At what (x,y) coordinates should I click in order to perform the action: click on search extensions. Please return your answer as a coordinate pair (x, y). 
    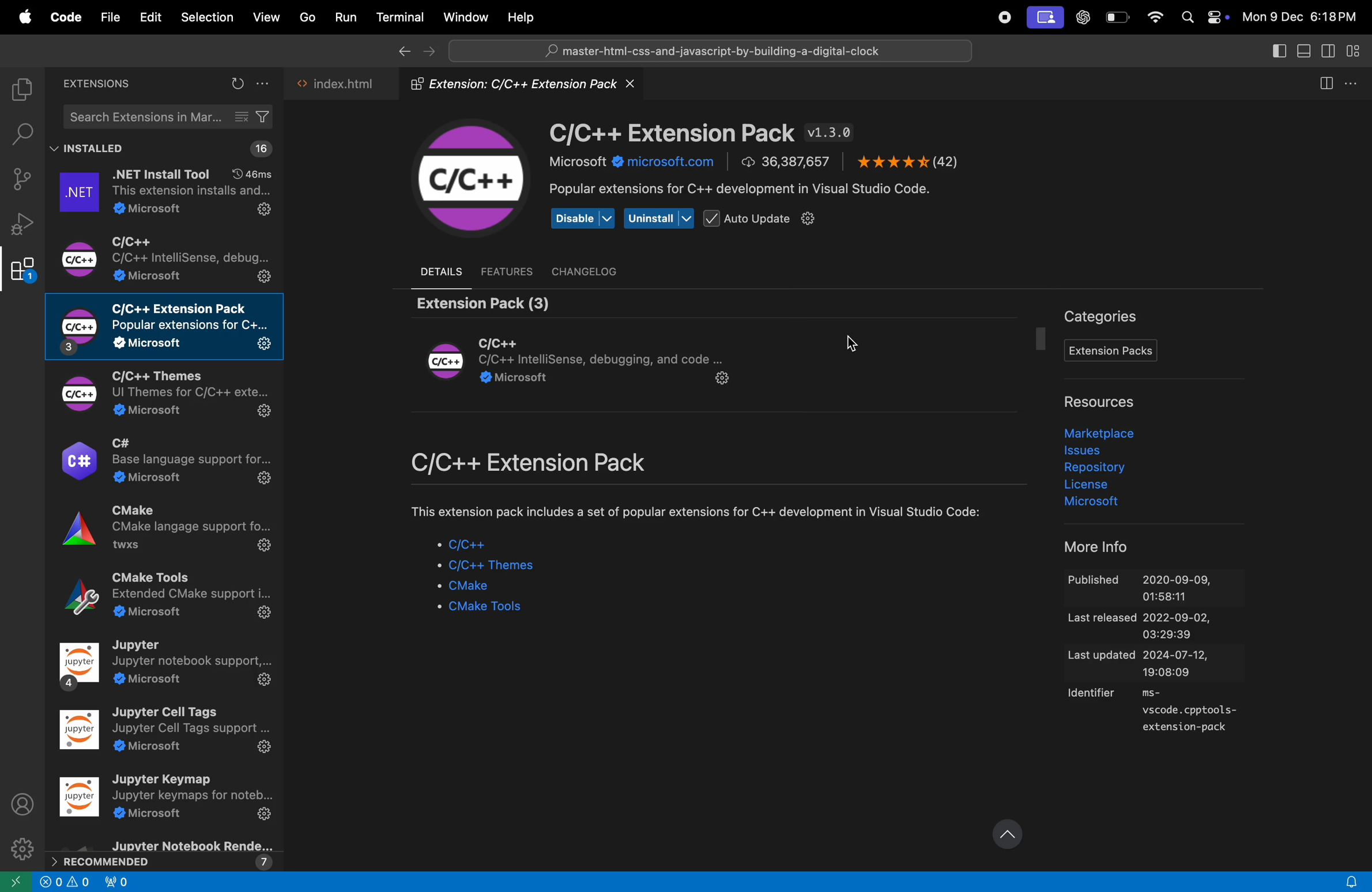
    Looking at the image, I should click on (168, 116).